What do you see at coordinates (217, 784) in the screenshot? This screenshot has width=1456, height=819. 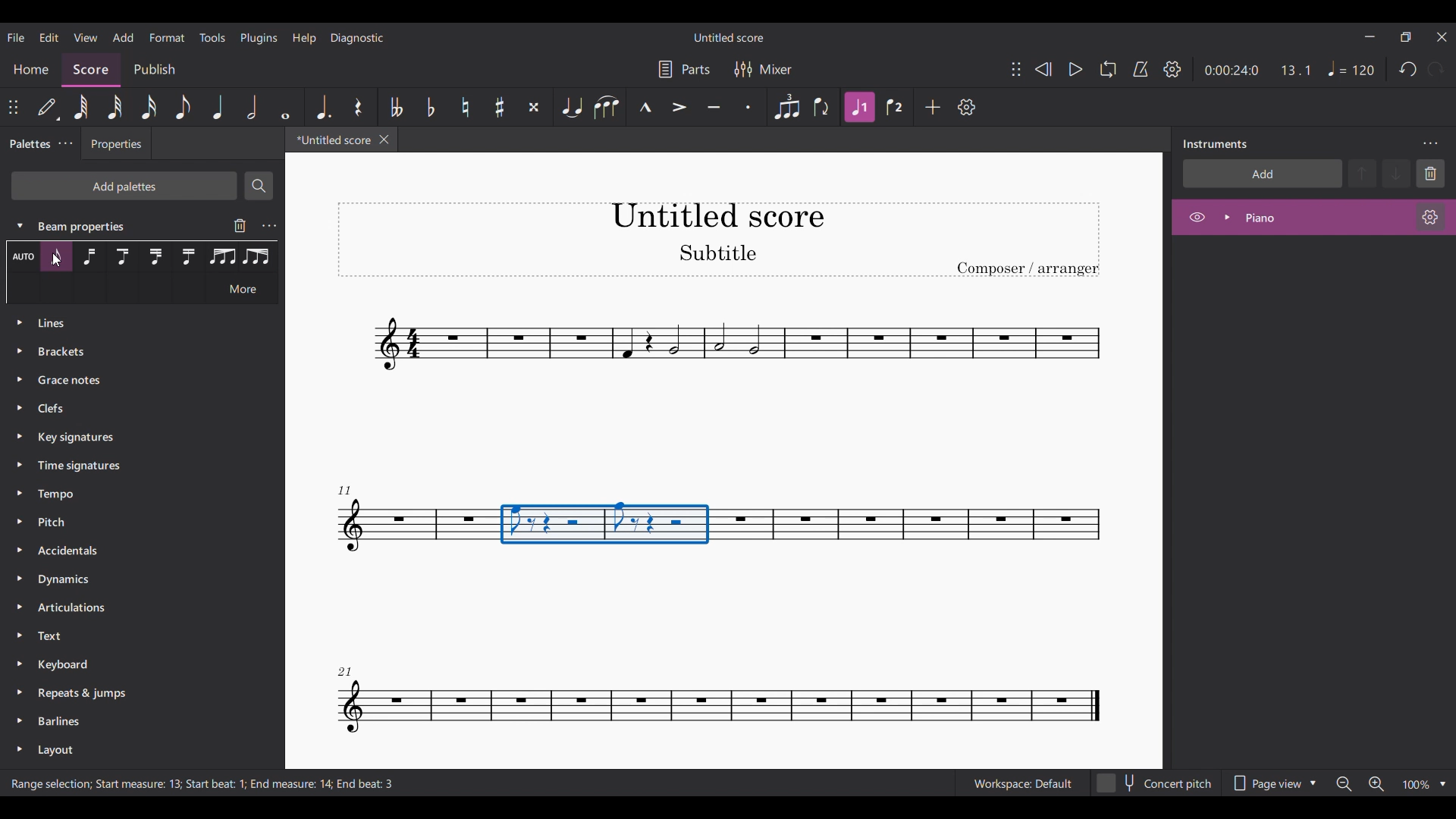 I see `Range selection; Start measure: 13; Start beat: 1; End measure: 14; End beat: 3` at bounding box center [217, 784].